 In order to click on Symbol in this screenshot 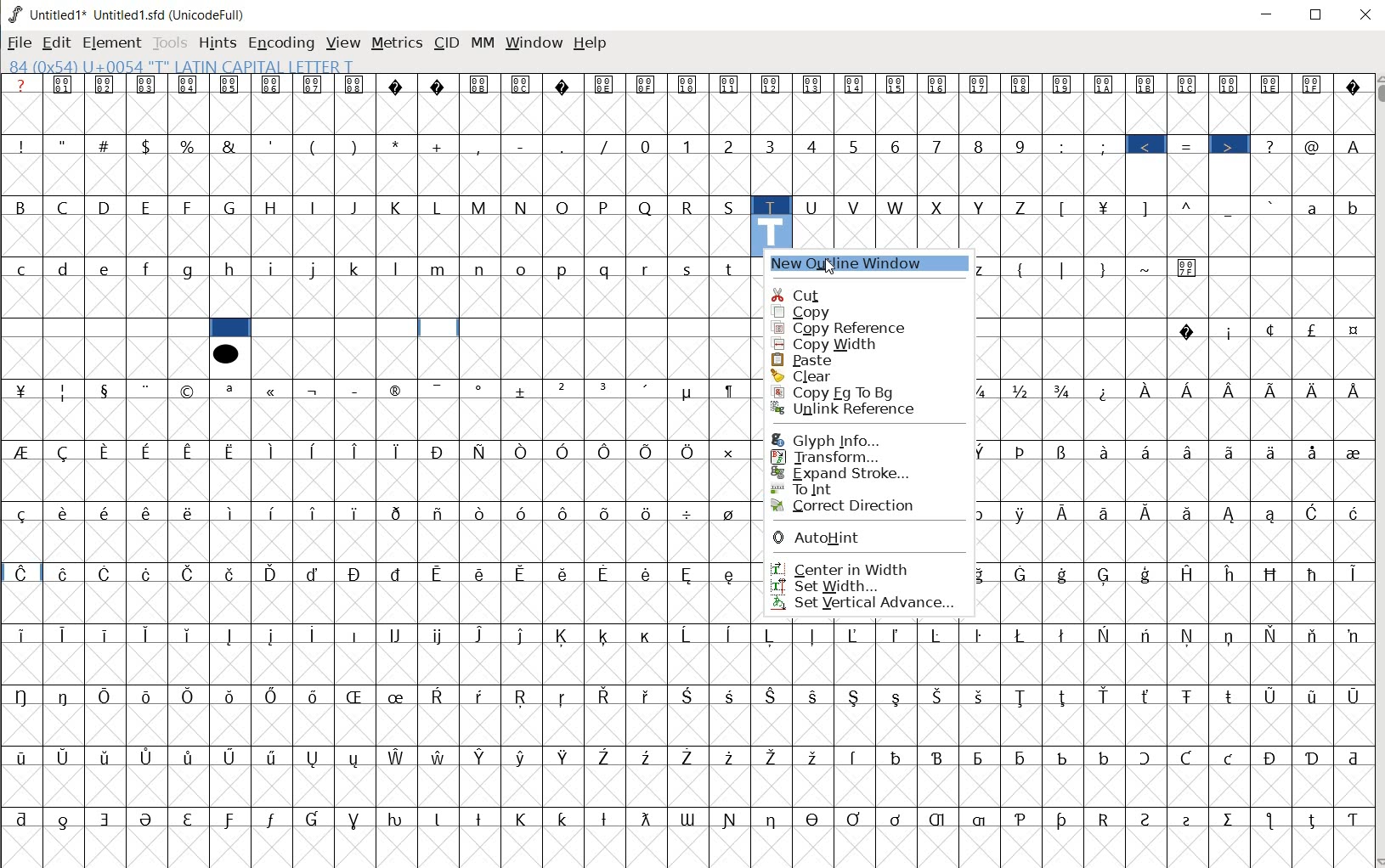, I will do `click(149, 511)`.